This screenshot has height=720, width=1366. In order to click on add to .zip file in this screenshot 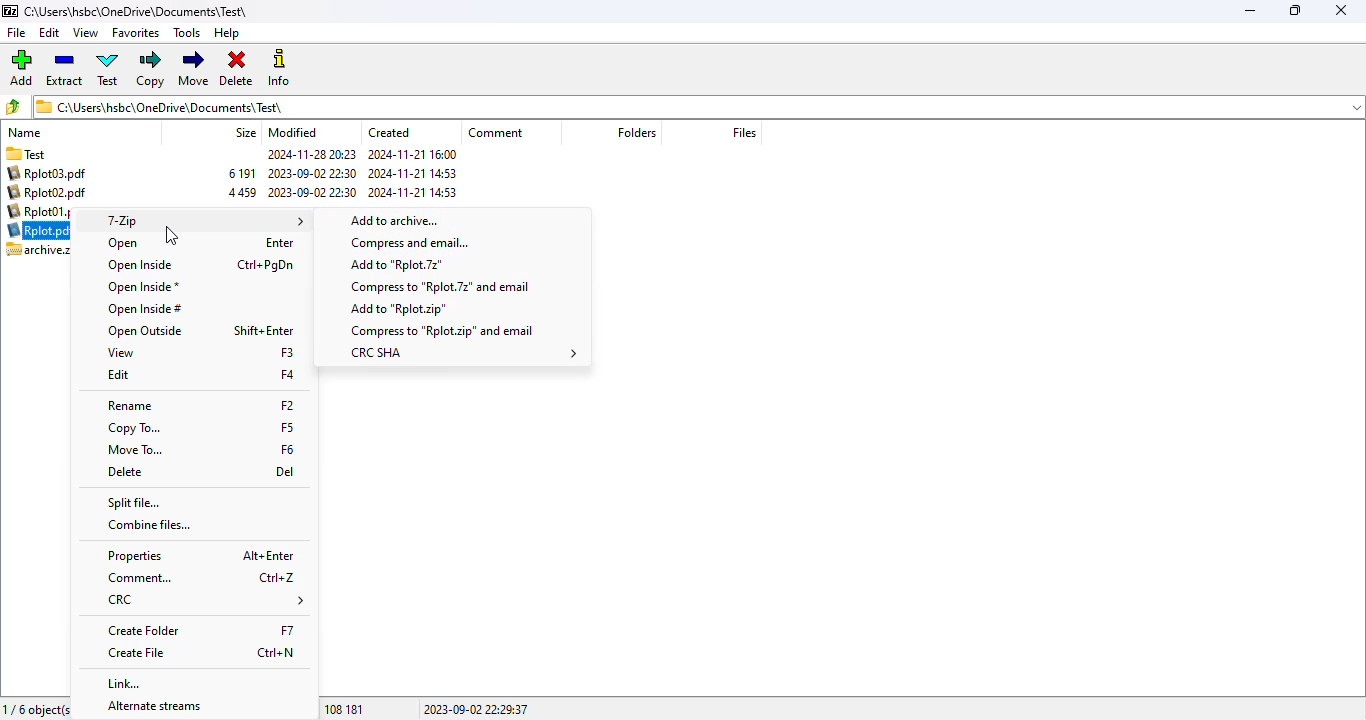, I will do `click(400, 310)`.